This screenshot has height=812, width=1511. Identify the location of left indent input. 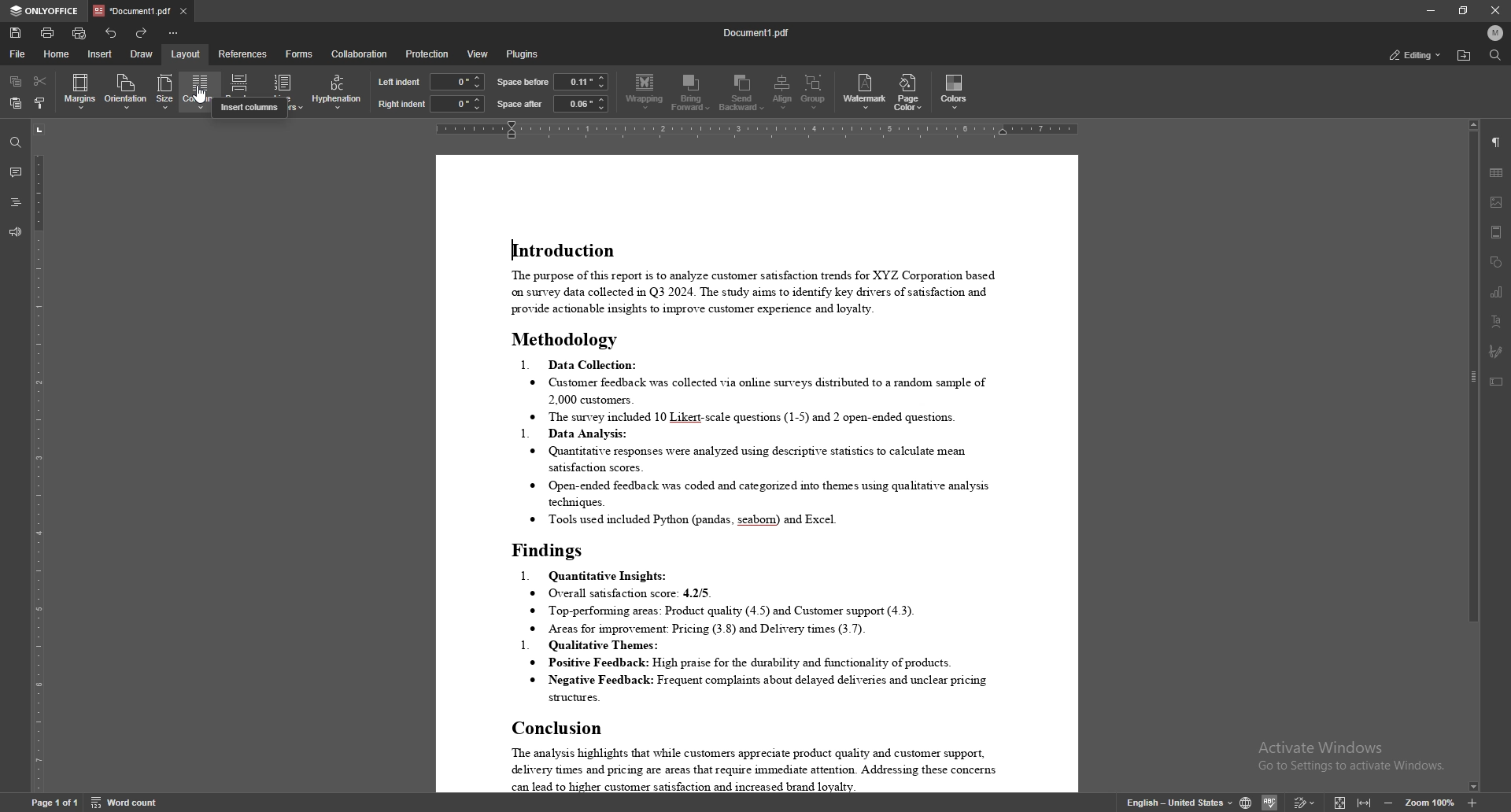
(458, 82).